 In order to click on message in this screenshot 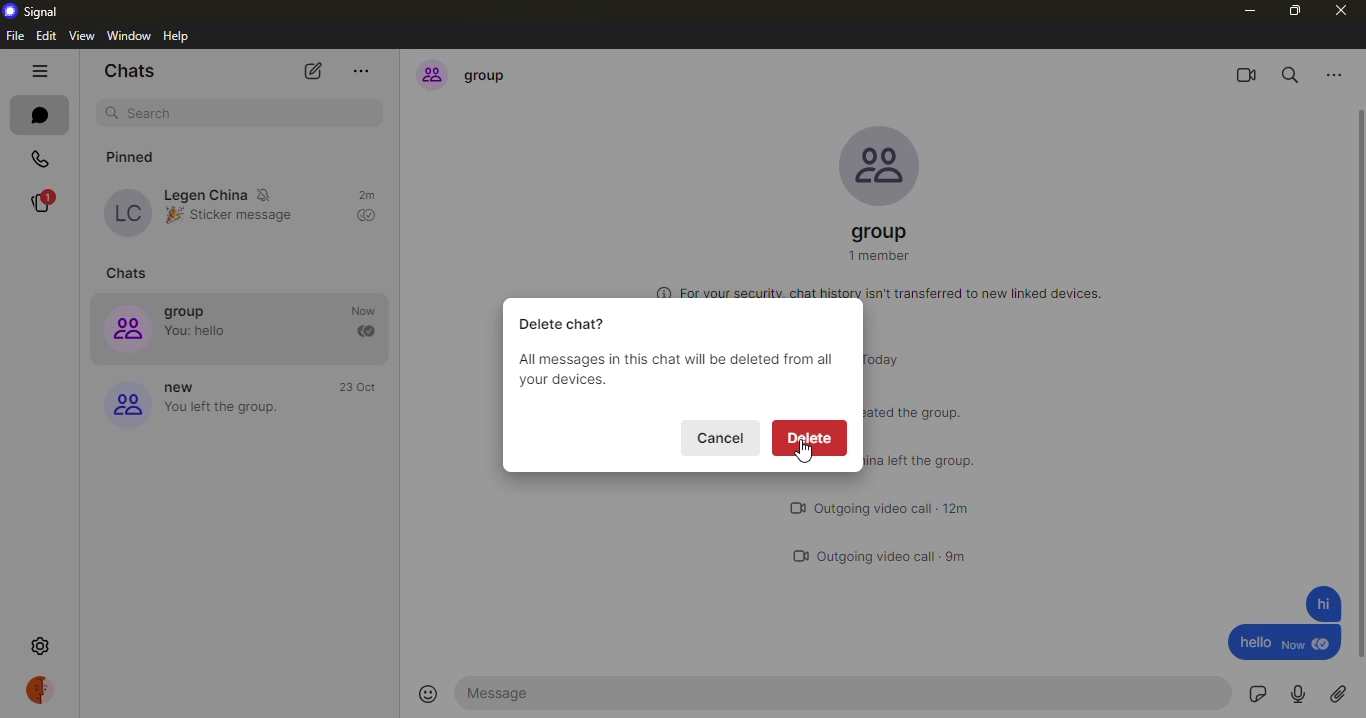, I will do `click(1319, 606)`.